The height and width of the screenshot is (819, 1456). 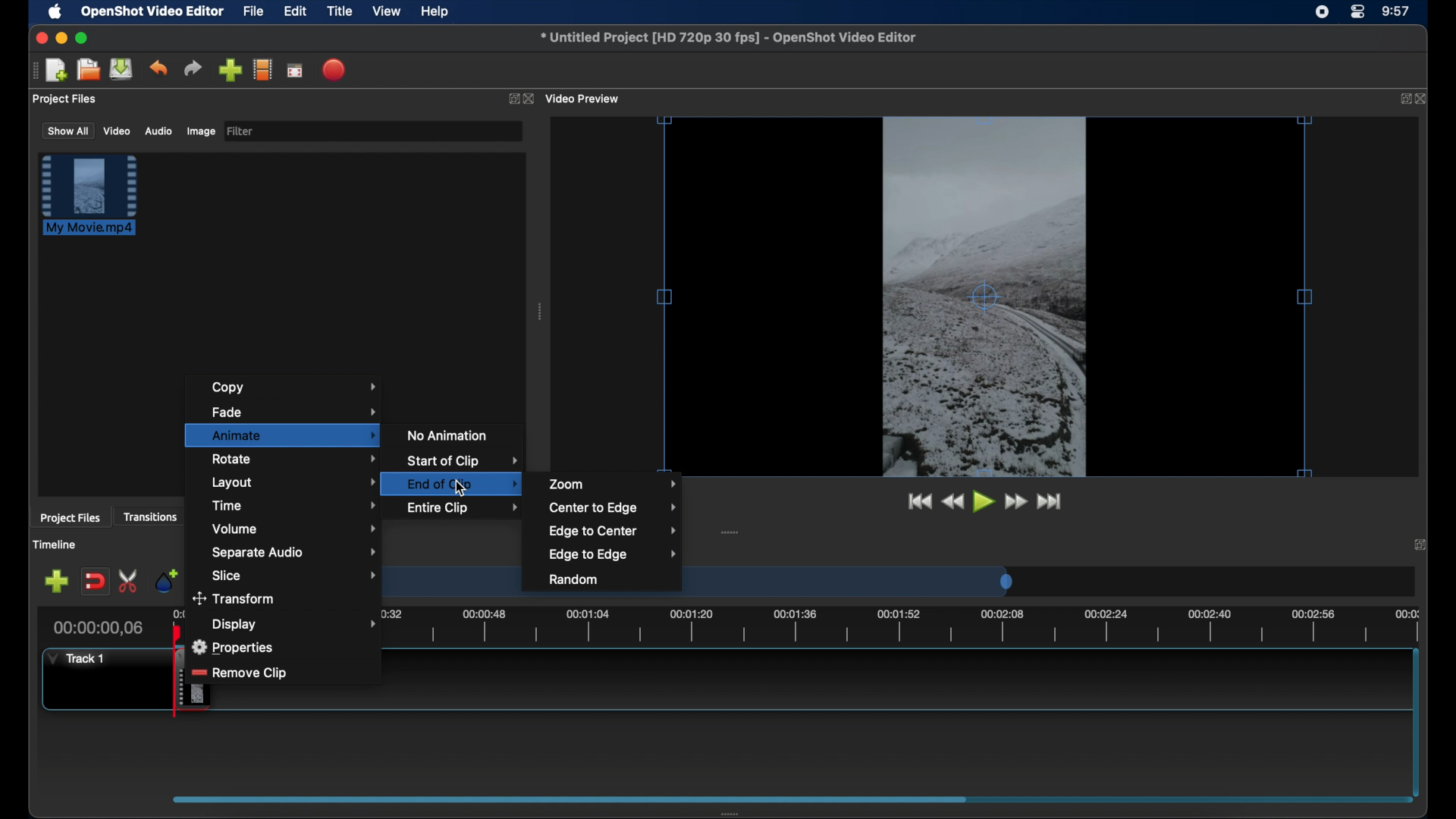 I want to click on show all, so click(x=67, y=130).